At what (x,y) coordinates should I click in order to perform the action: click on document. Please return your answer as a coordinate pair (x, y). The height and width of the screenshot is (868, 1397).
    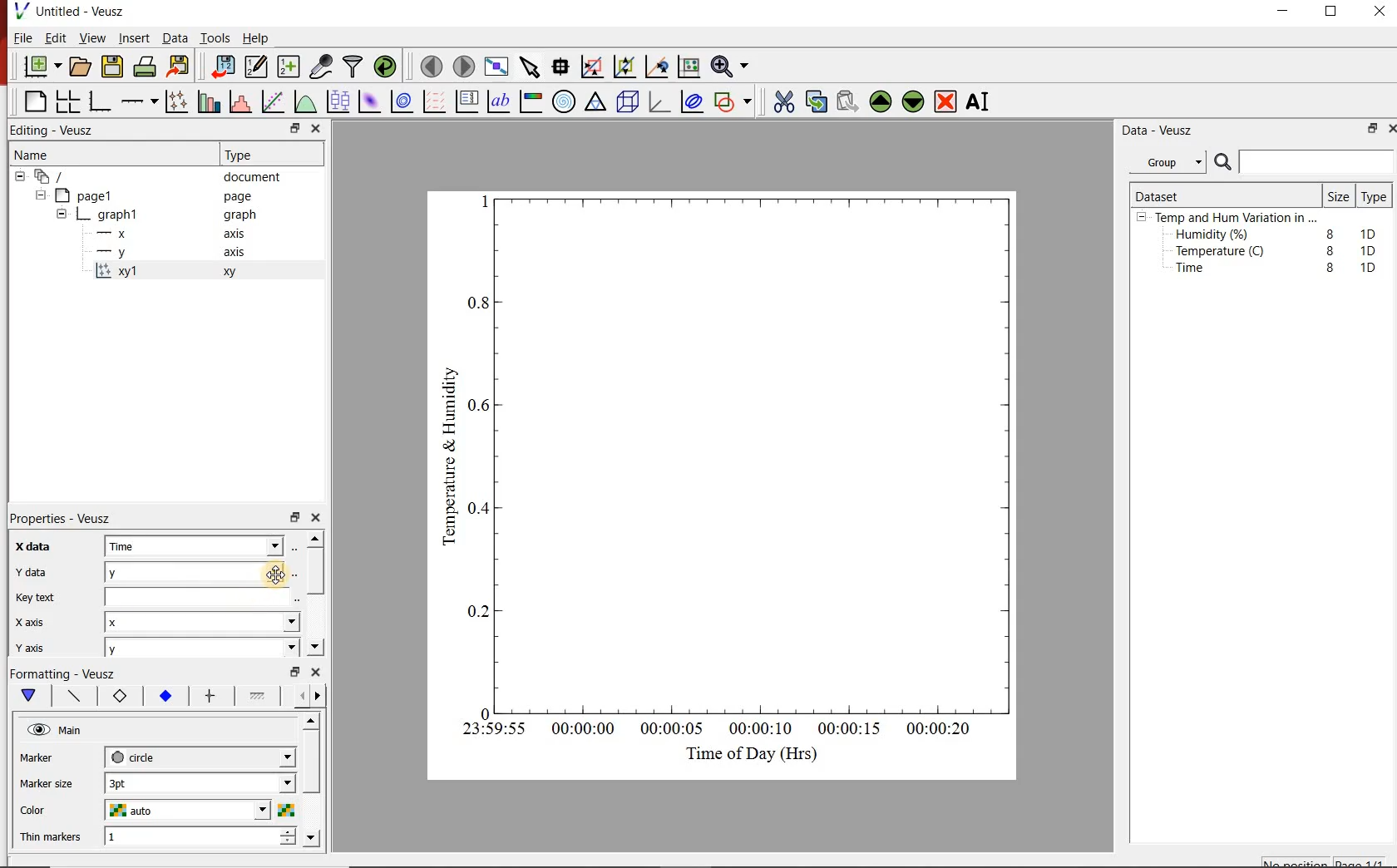
    Looking at the image, I should click on (258, 177).